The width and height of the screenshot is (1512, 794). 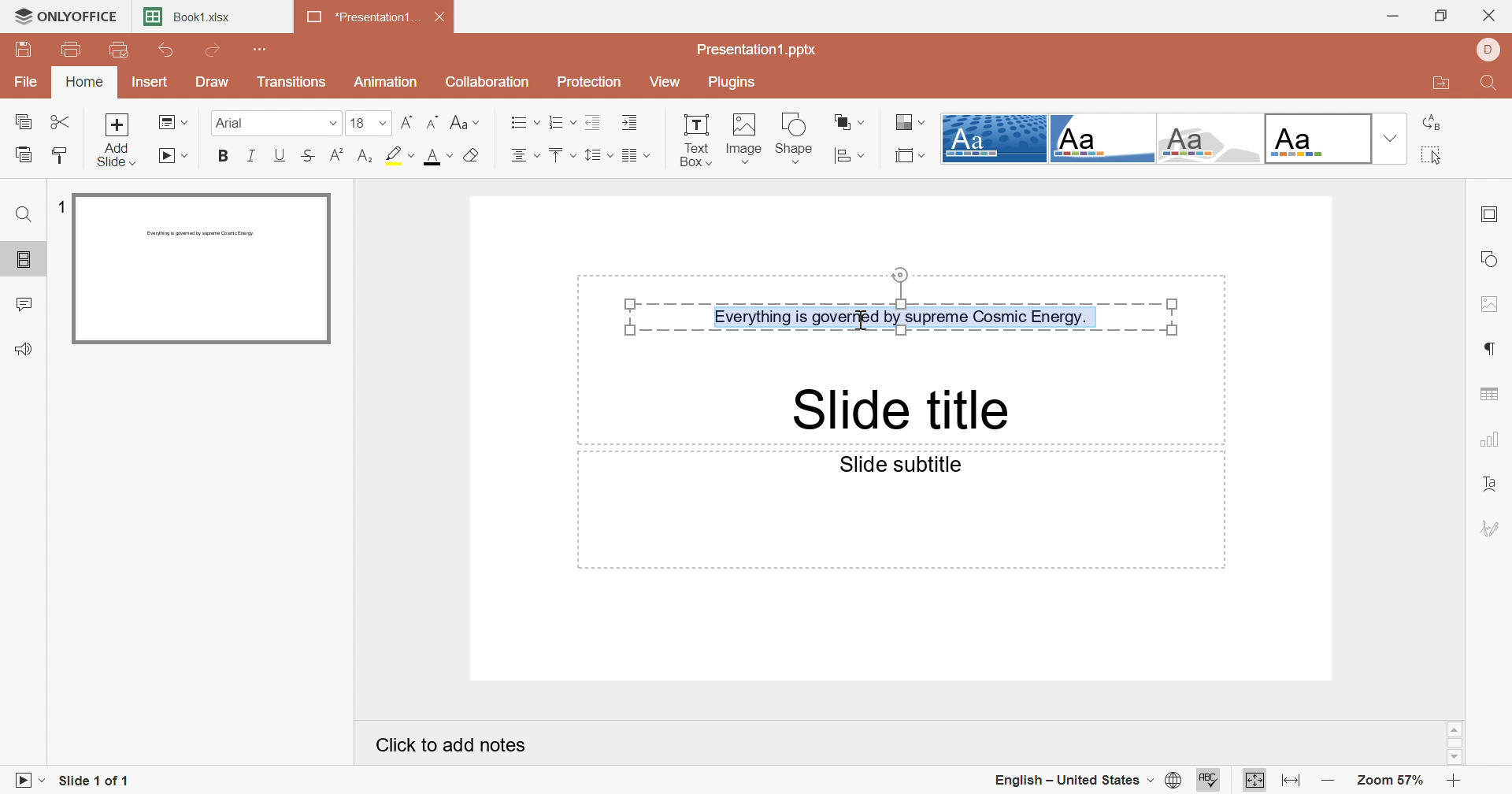 I want to click on Clear, so click(x=475, y=155).